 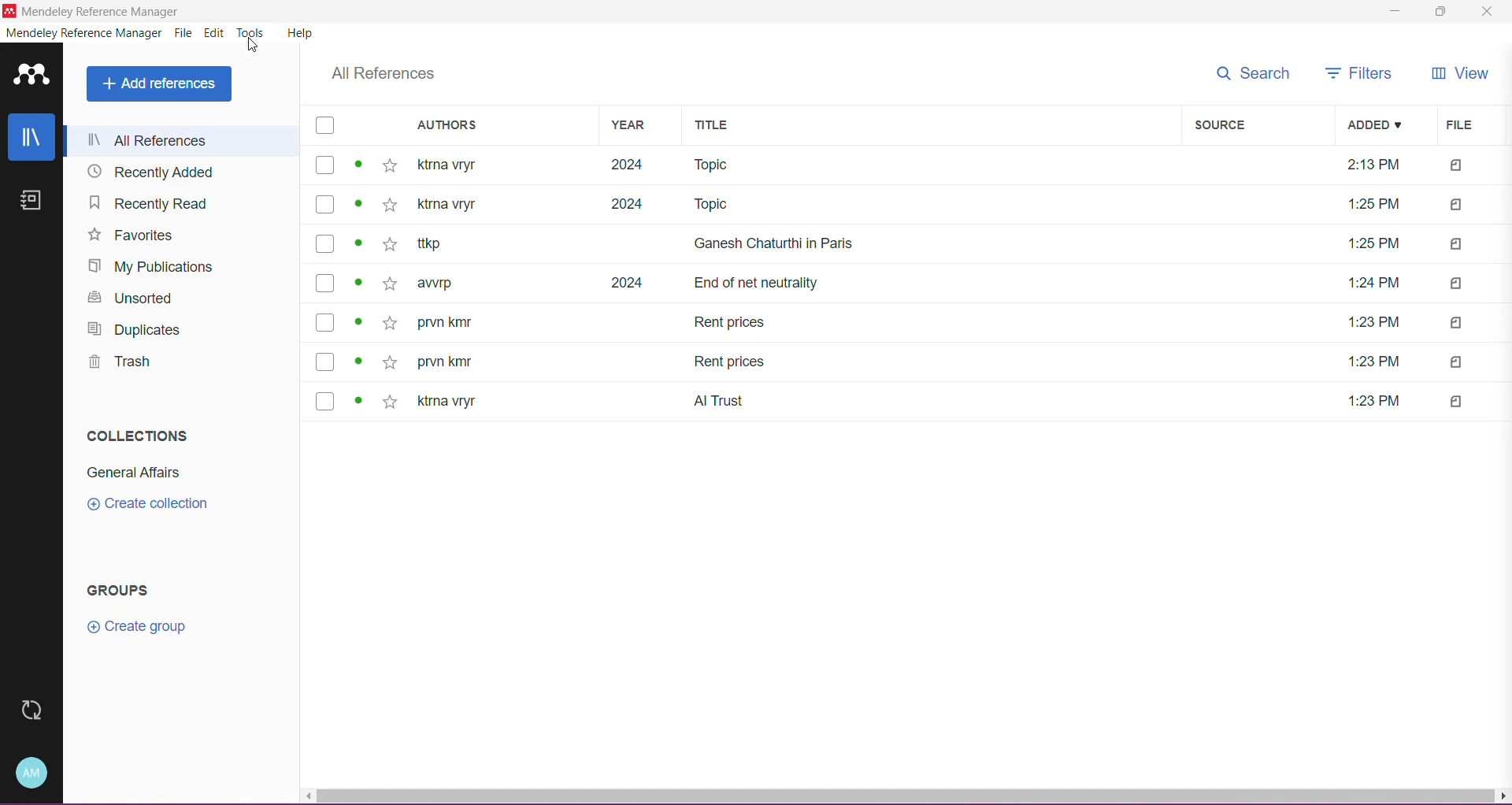 I want to click on View, so click(x=1462, y=76).